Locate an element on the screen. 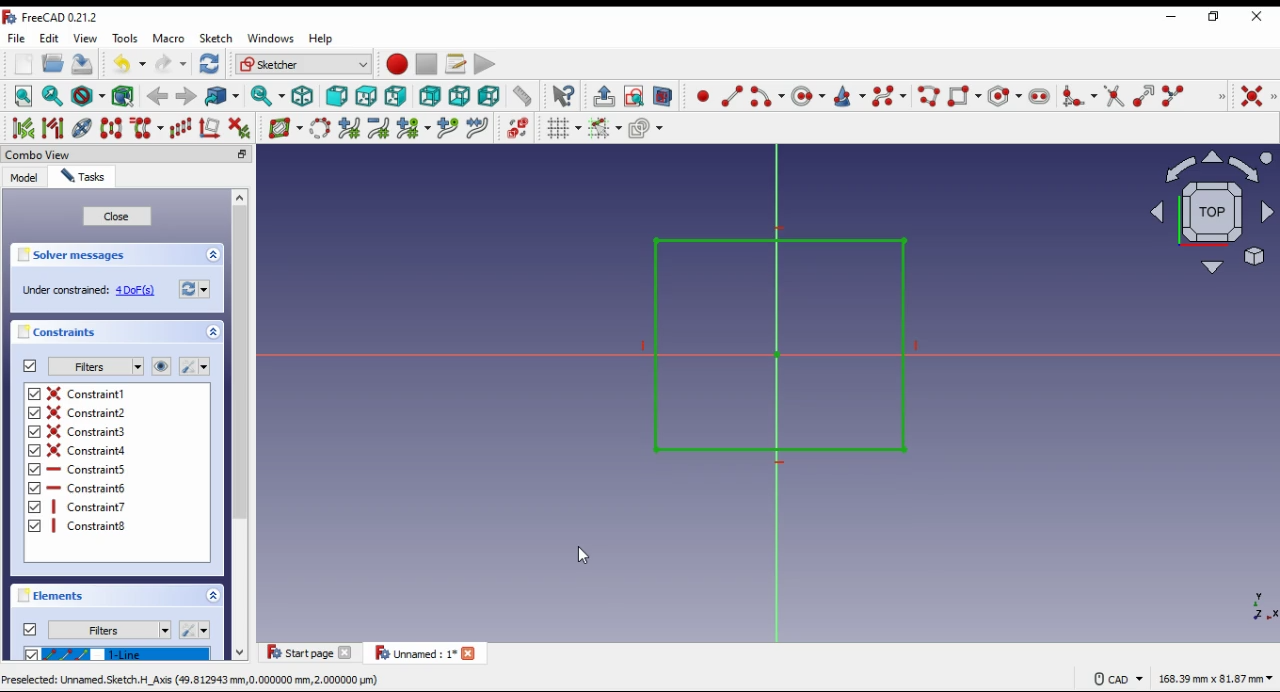 This screenshot has width=1280, height=692. right is located at coordinates (395, 96).